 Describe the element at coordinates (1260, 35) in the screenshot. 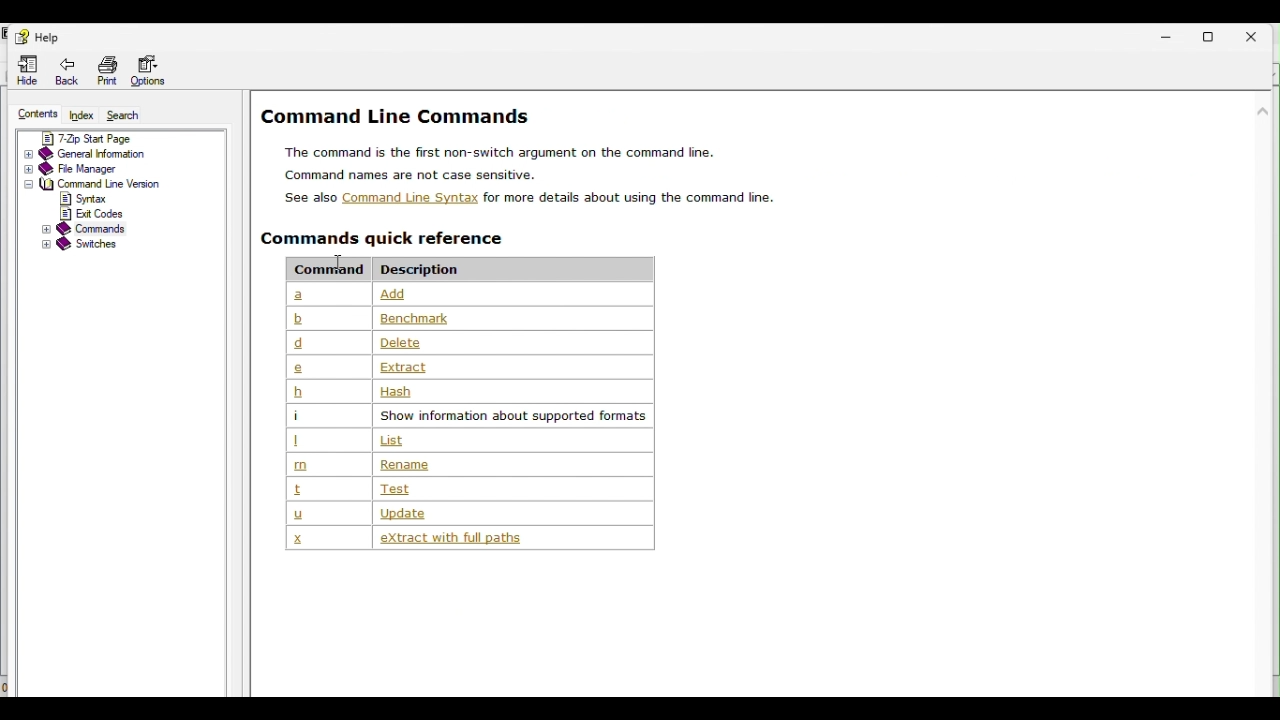

I see `close` at that location.